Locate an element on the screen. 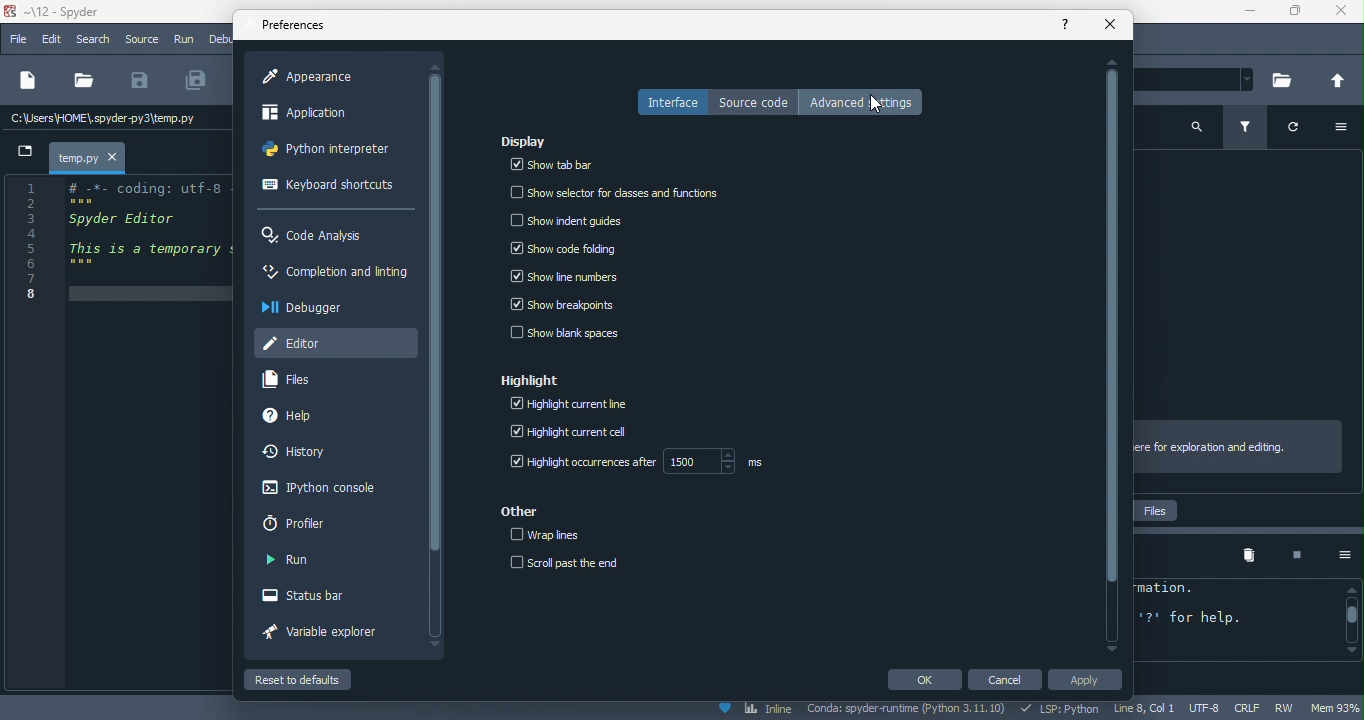 The image size is (1364, 720). option is located at coordinates (1347, 129).